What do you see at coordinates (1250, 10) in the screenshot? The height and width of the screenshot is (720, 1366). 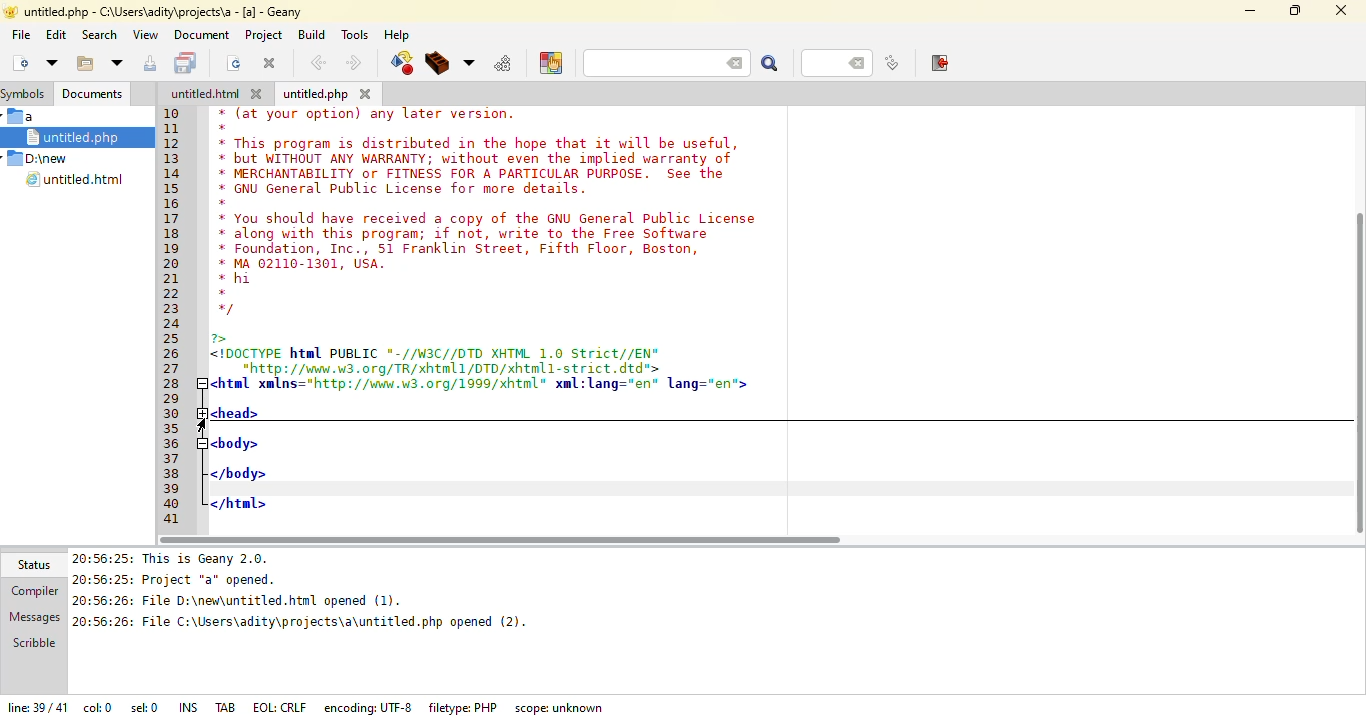 I see `minimize` at bounding box center [1250, 10].